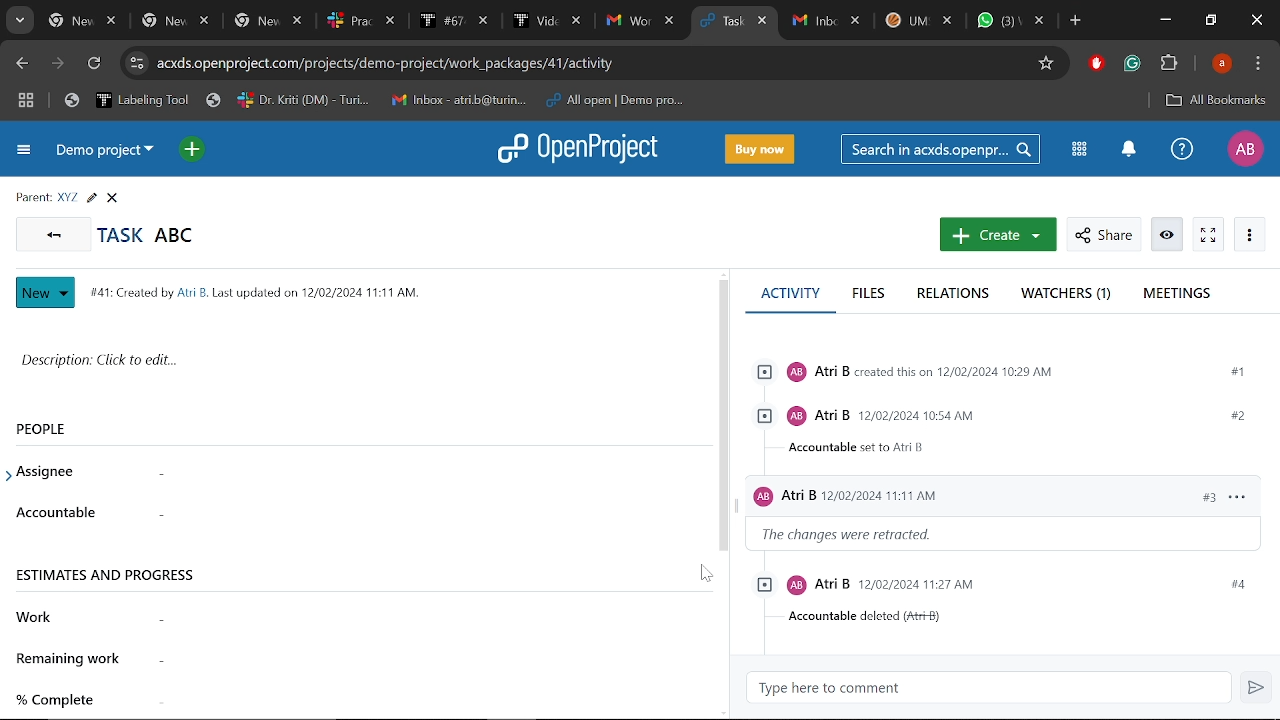 The image size is (1280, 720). What do you see at coordinates (1165, 235) in the screenshot?
I see `Unwatch workpackage` at bounding box center [1165, 235].